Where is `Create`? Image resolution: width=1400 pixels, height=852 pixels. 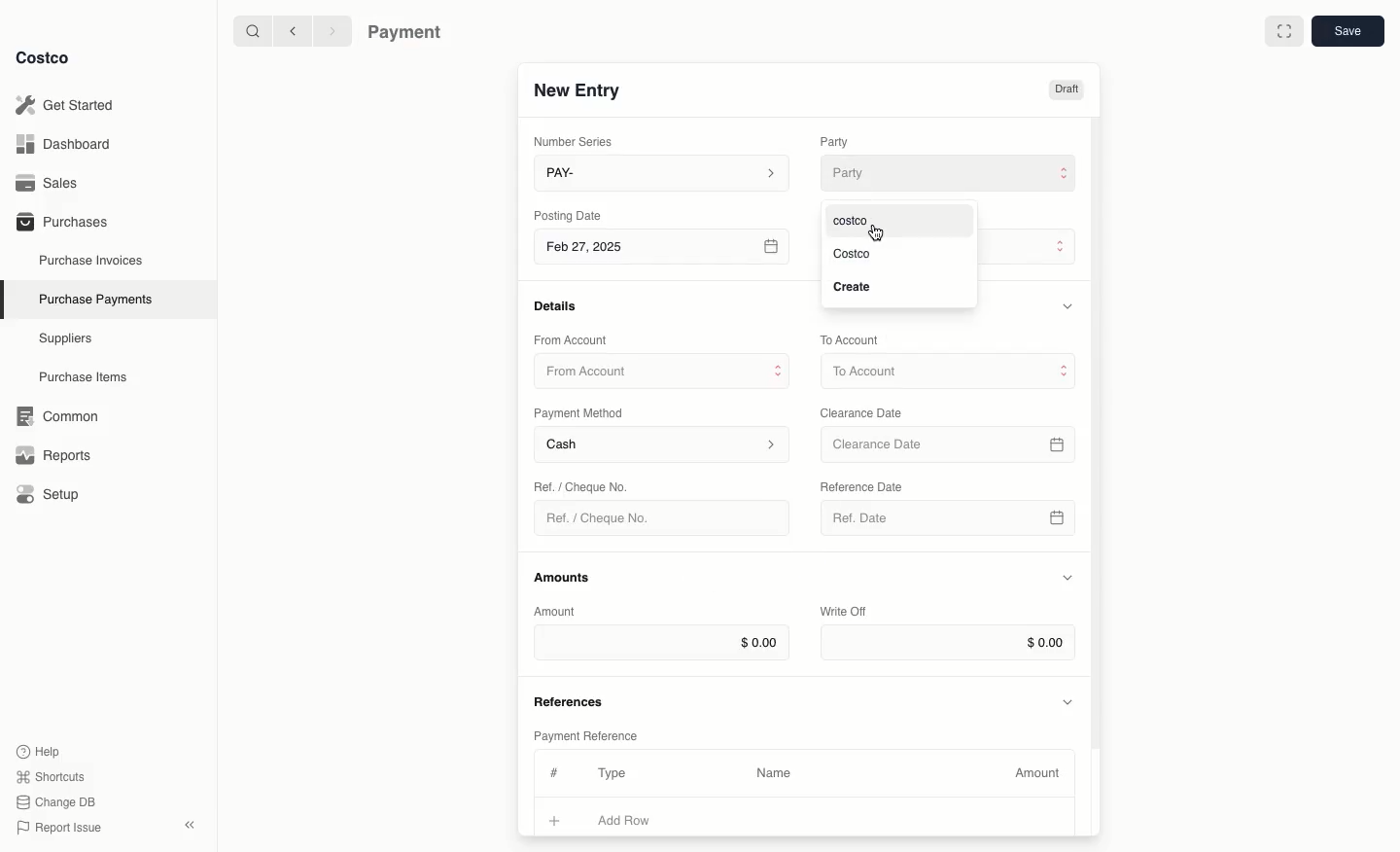
Create is located at coordinates (850, 288).